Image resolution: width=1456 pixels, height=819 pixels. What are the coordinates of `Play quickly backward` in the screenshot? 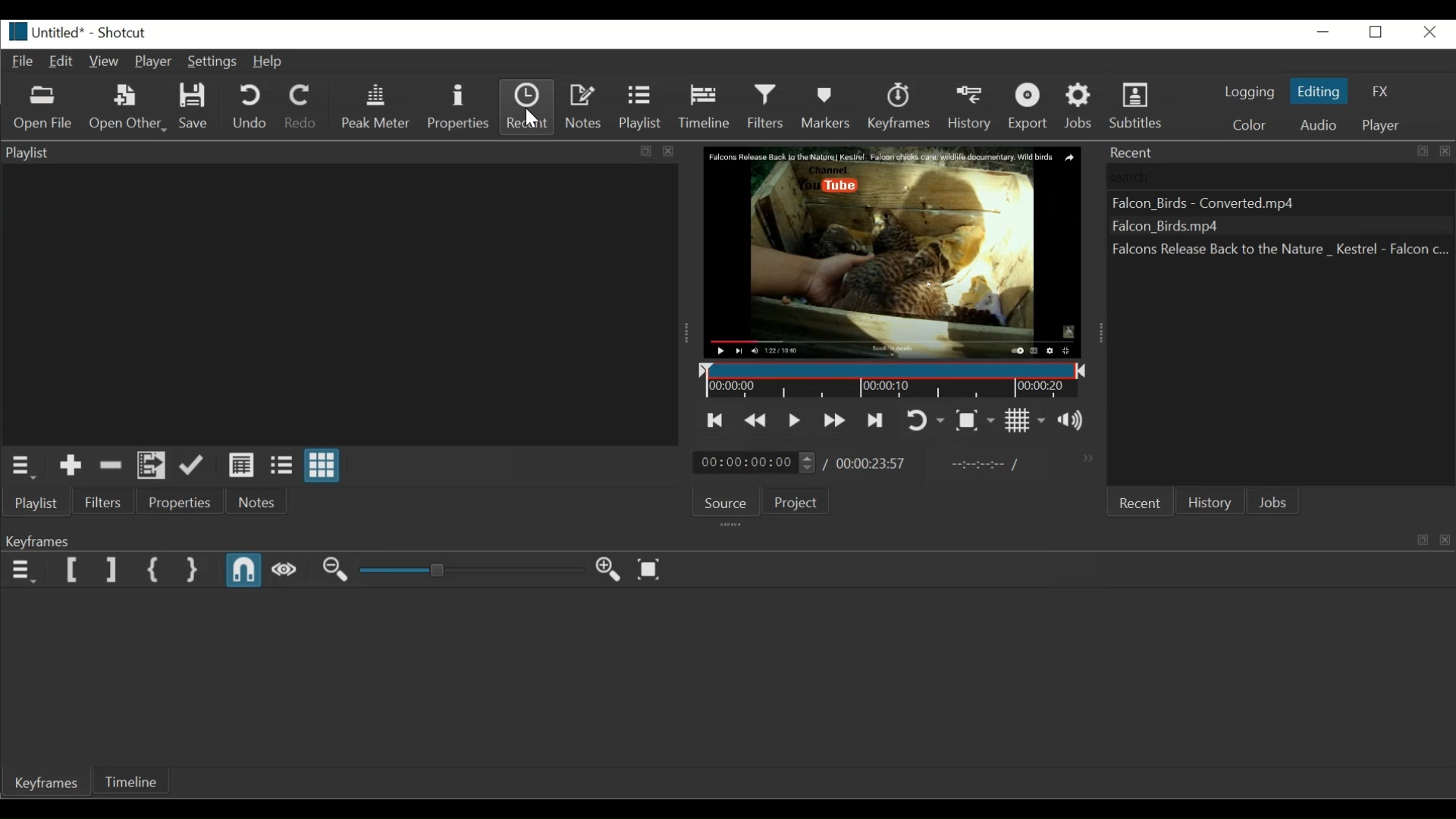 It's located at (758, 419).